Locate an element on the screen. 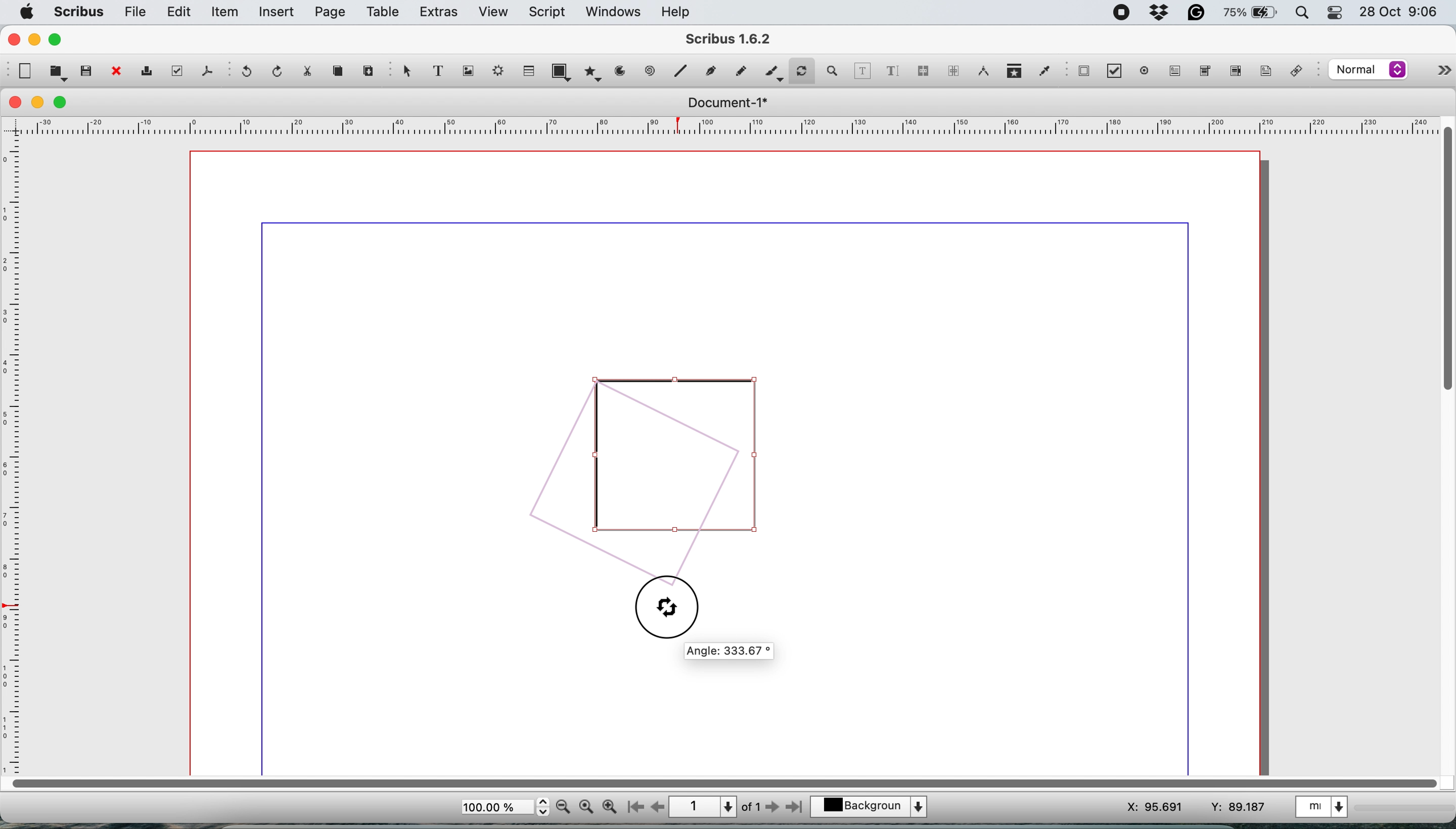 The height and width of the screenshot is (829, 1456). cursor is located at coordinates (661, 606).